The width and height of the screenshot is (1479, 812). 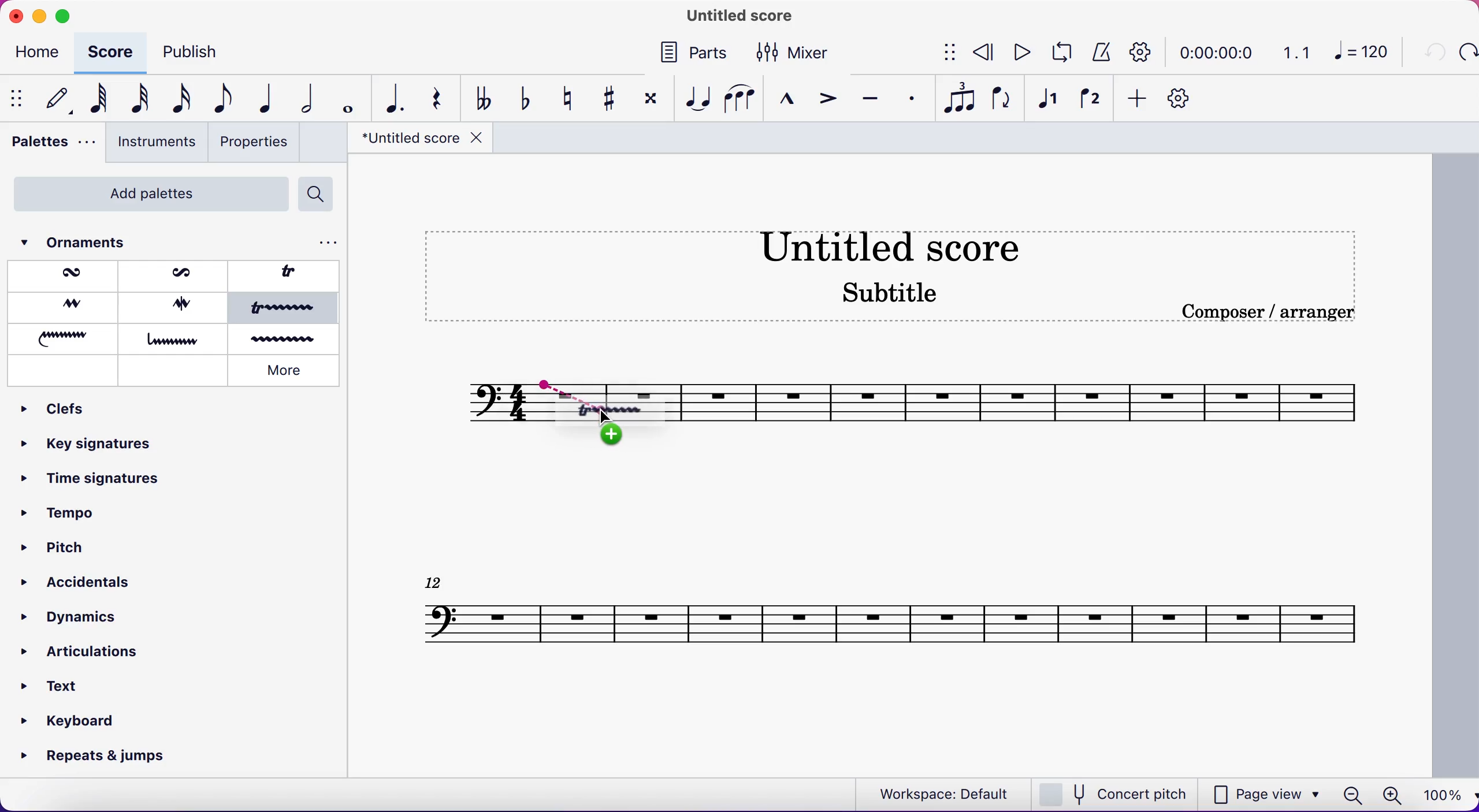 What do you see at coordinates (288, 339) in the screenshot?
I see `vibrato or shake` at bounding box center [288, 339].